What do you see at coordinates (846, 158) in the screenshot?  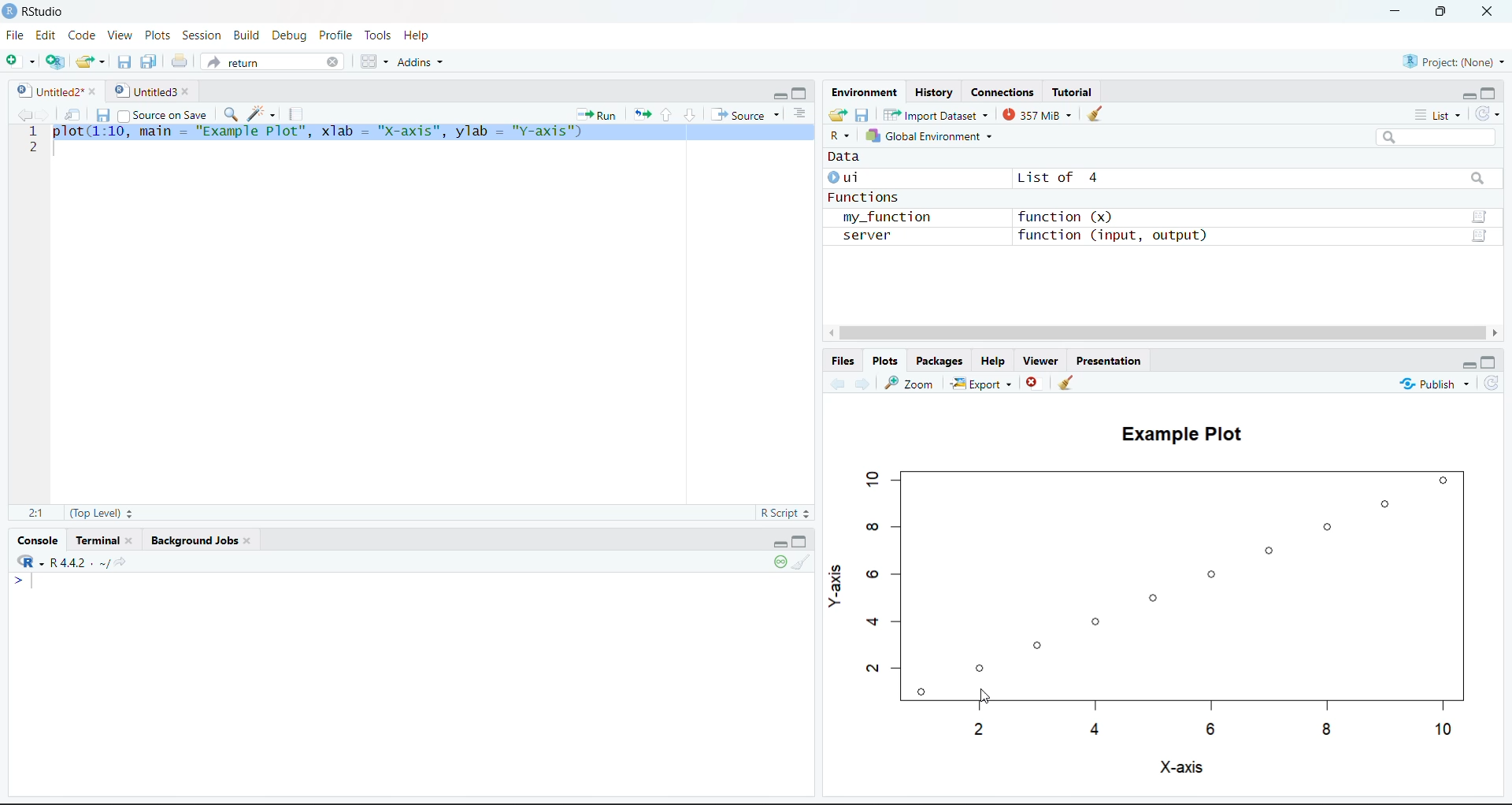 I see `Data` at bounding box center [846, 158].